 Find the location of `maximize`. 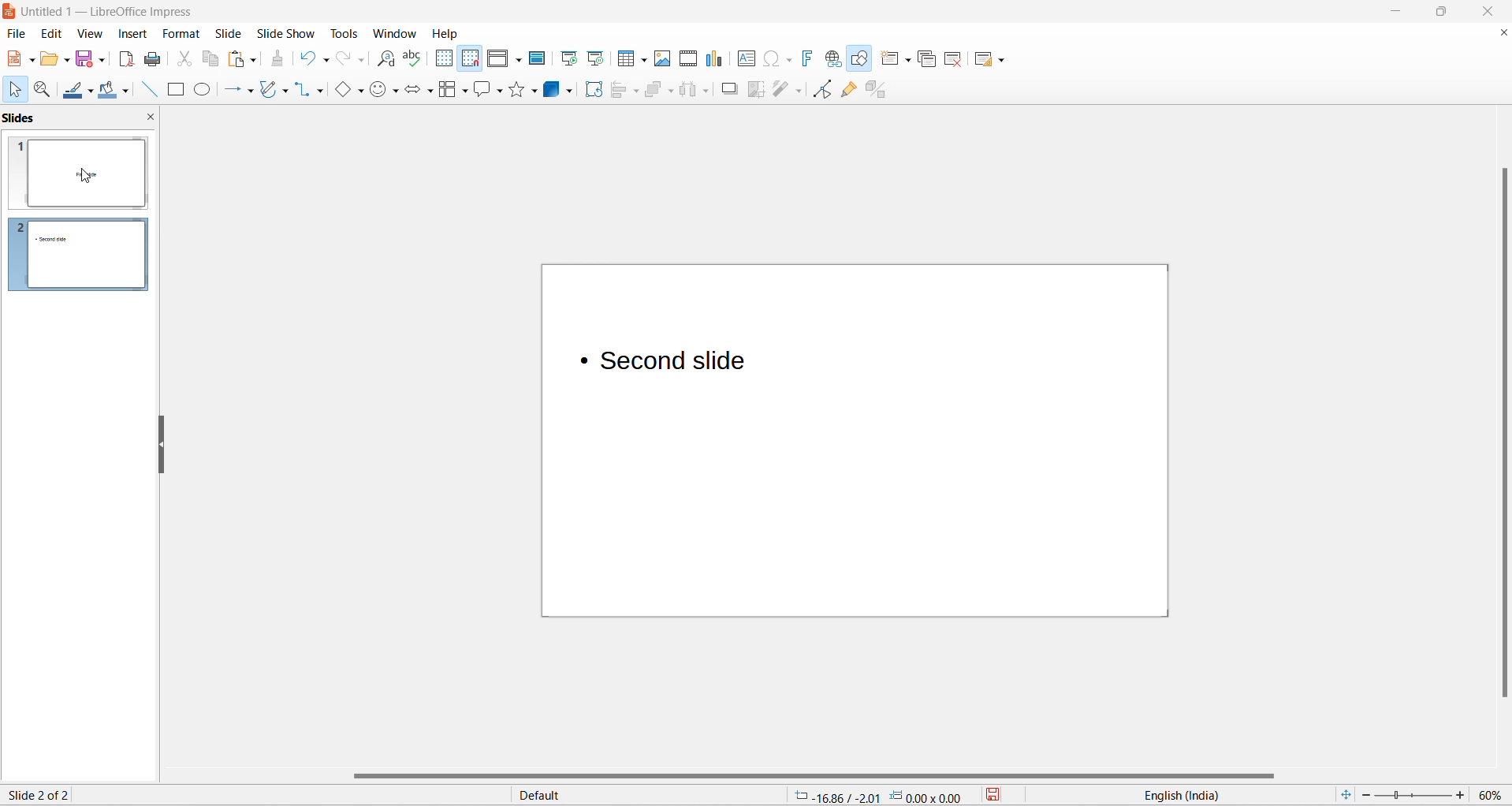

maximize is located at coordinates (1443, 13).